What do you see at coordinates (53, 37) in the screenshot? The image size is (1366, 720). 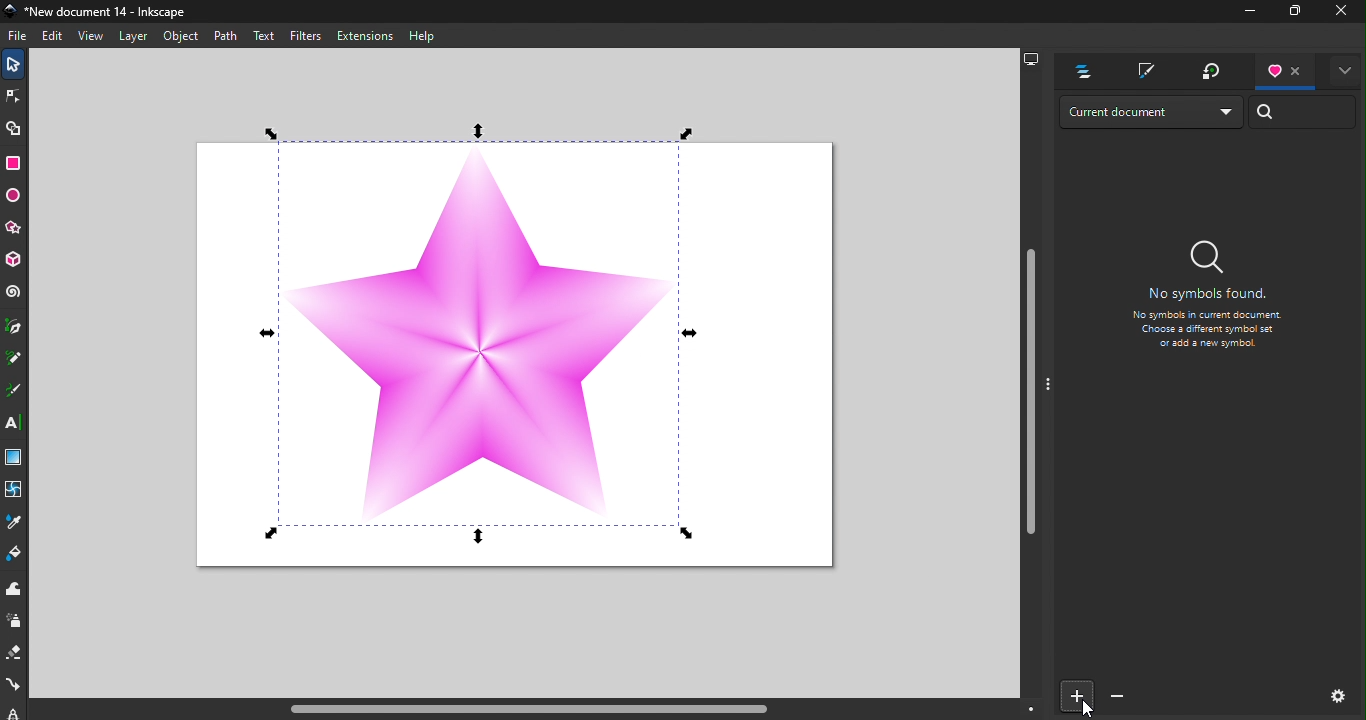 I see `Edit` at bounding box center [53, 37].